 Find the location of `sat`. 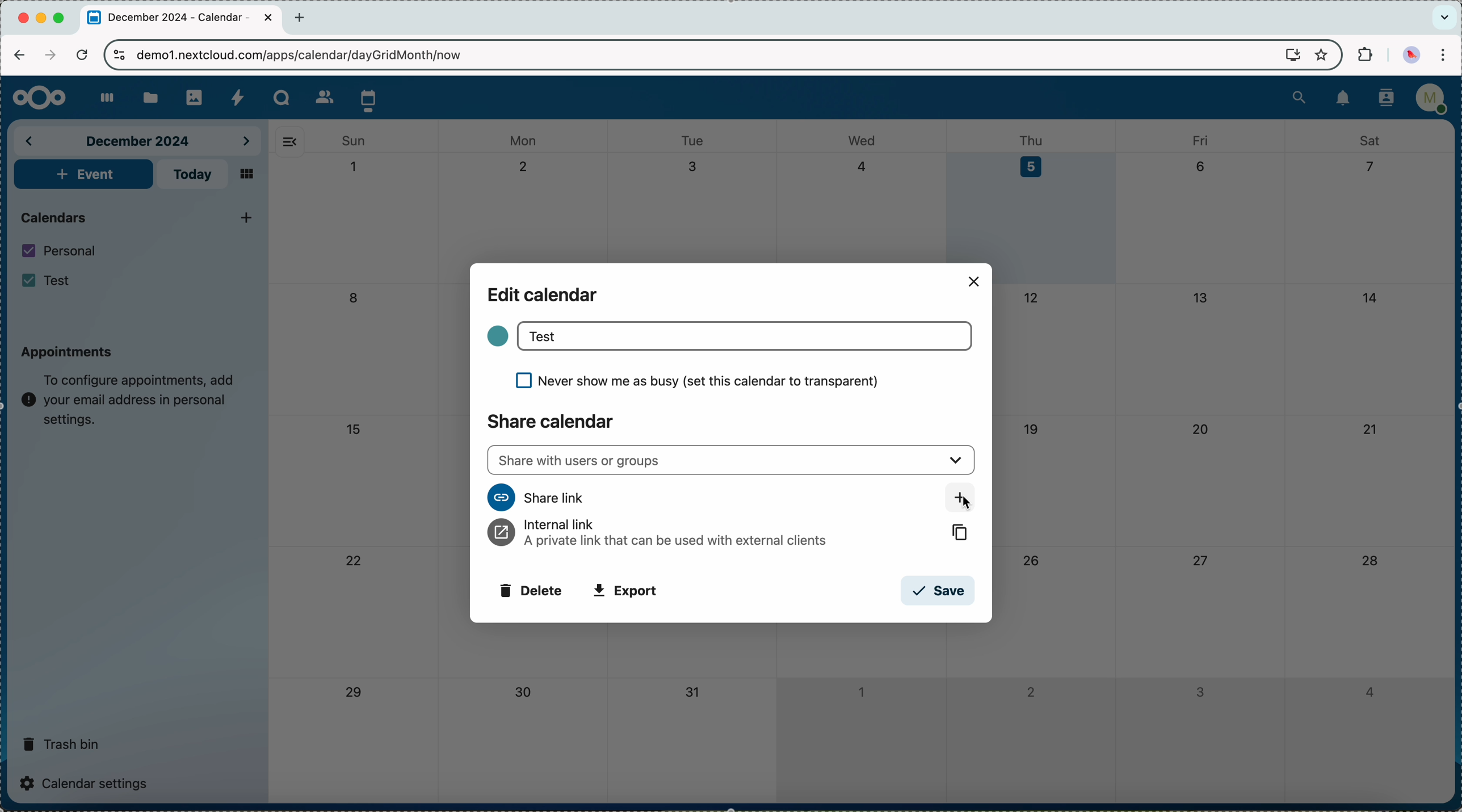

sat is located at coordinates (1369, 140).